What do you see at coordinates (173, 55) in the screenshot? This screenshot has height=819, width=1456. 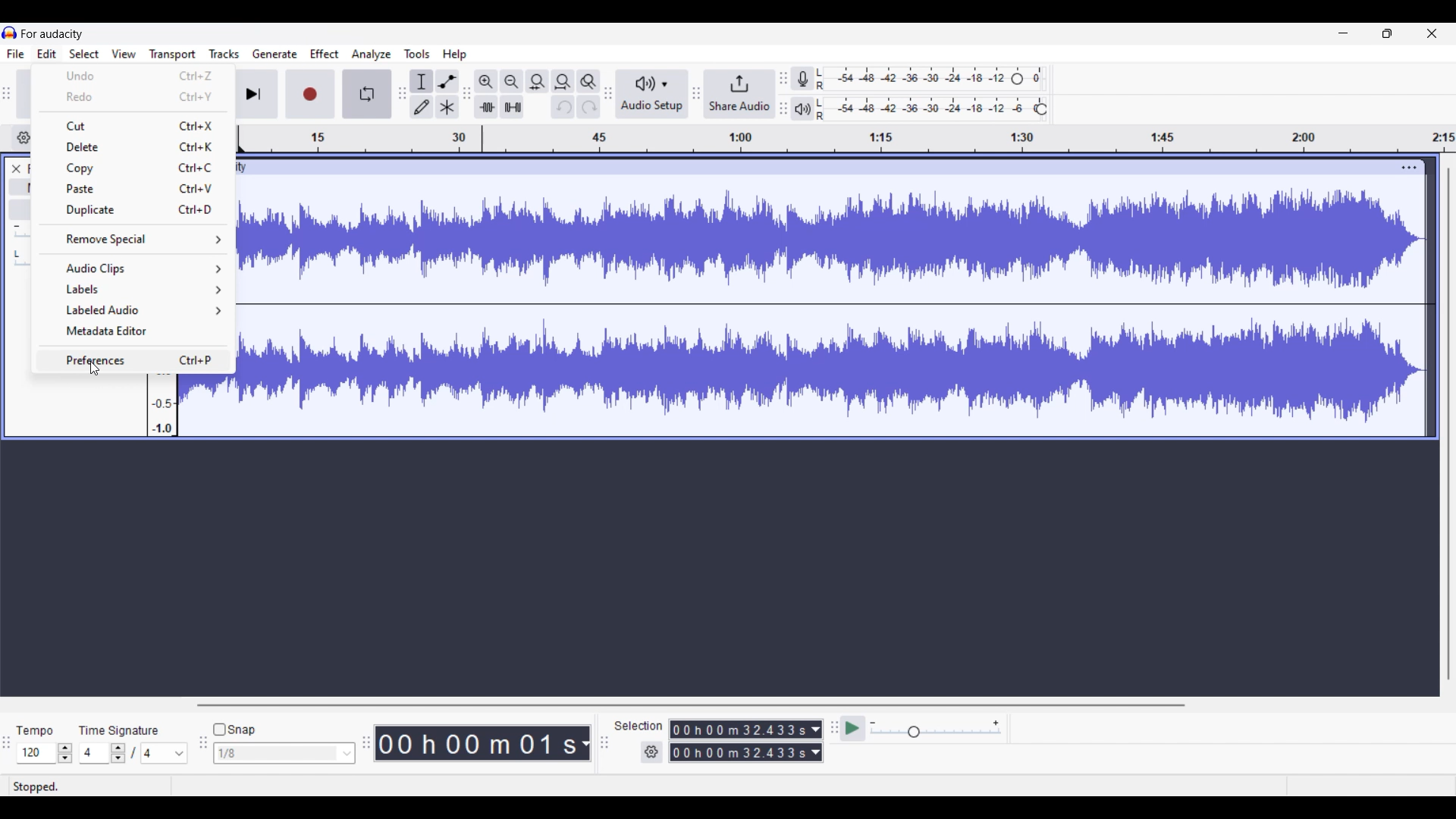 I see `Transport menu` at bounding box center [173, 55].